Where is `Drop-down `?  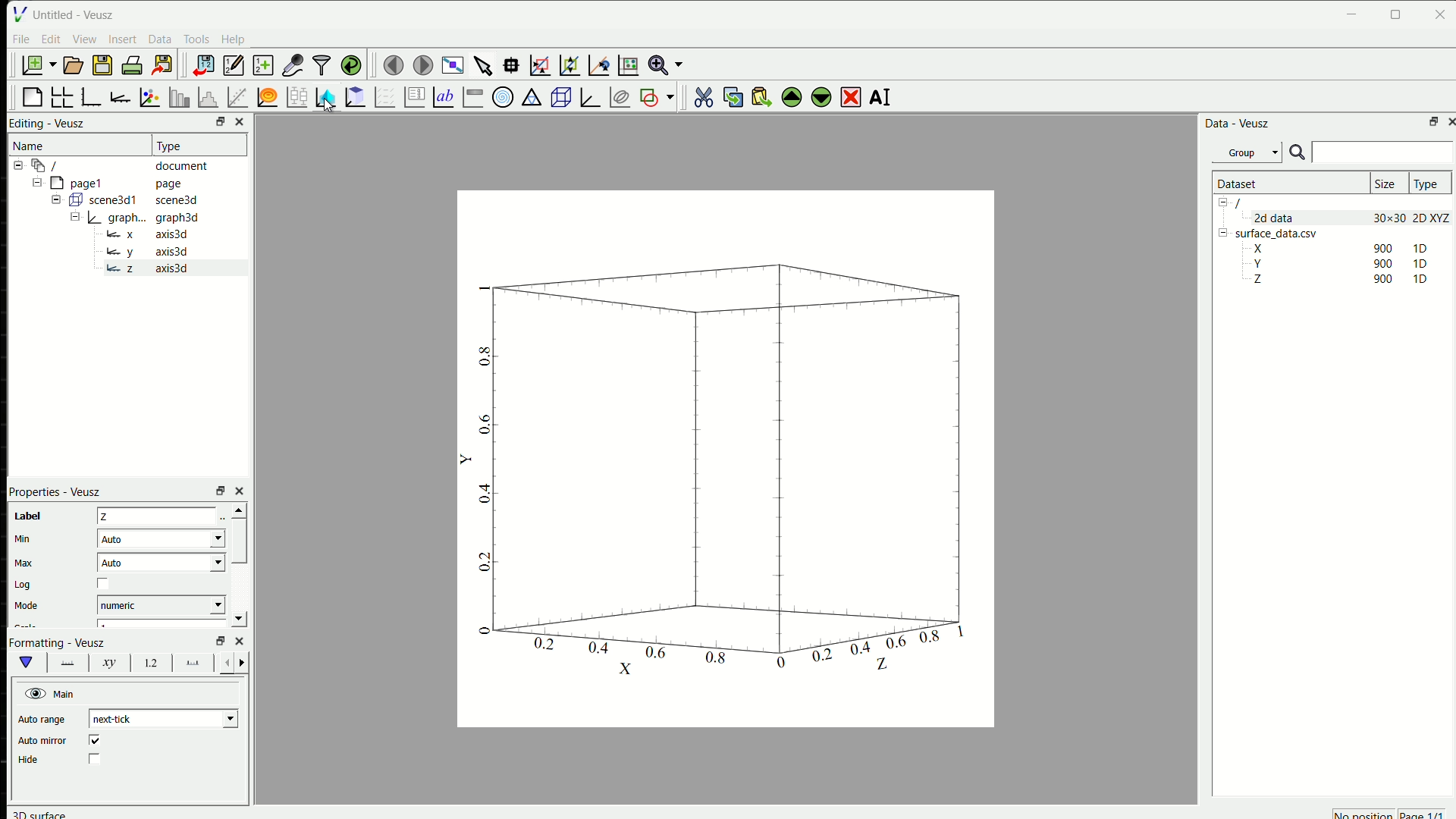 Drop-down  is located at coordinates (218, 605).